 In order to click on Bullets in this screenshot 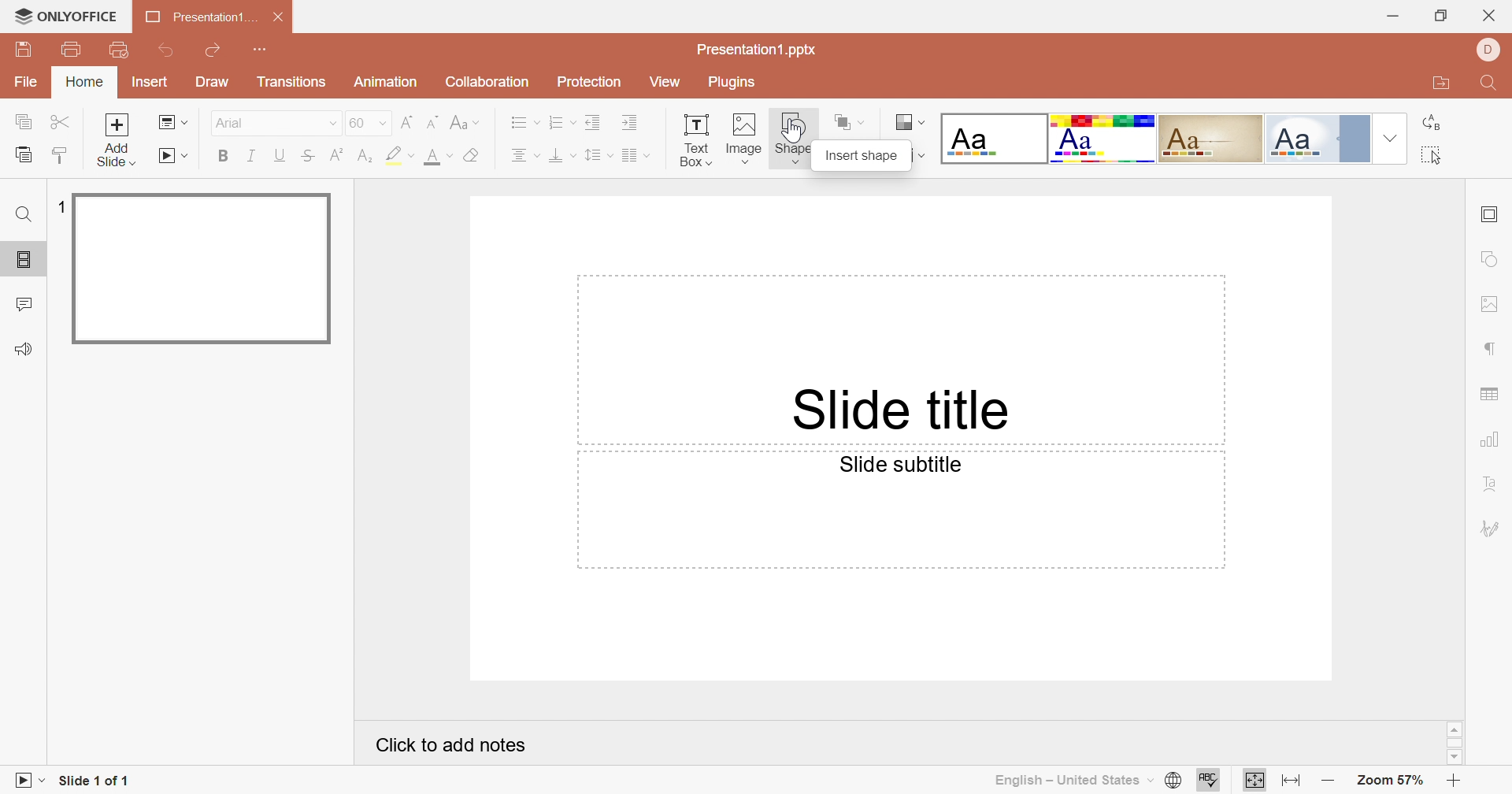, I will do `click(521, 121)`.